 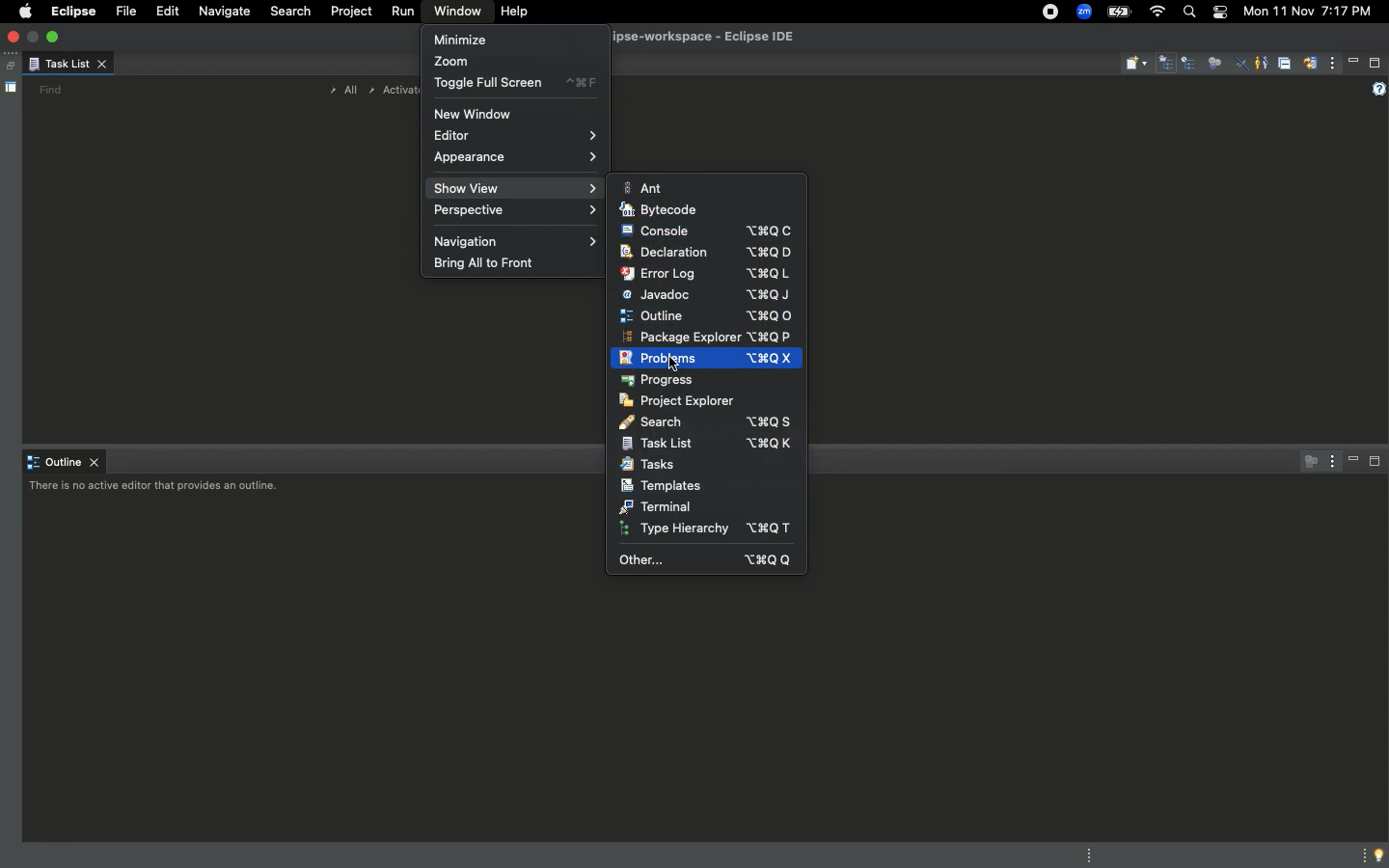 I want to click on Other, so click(x=702, y=558).